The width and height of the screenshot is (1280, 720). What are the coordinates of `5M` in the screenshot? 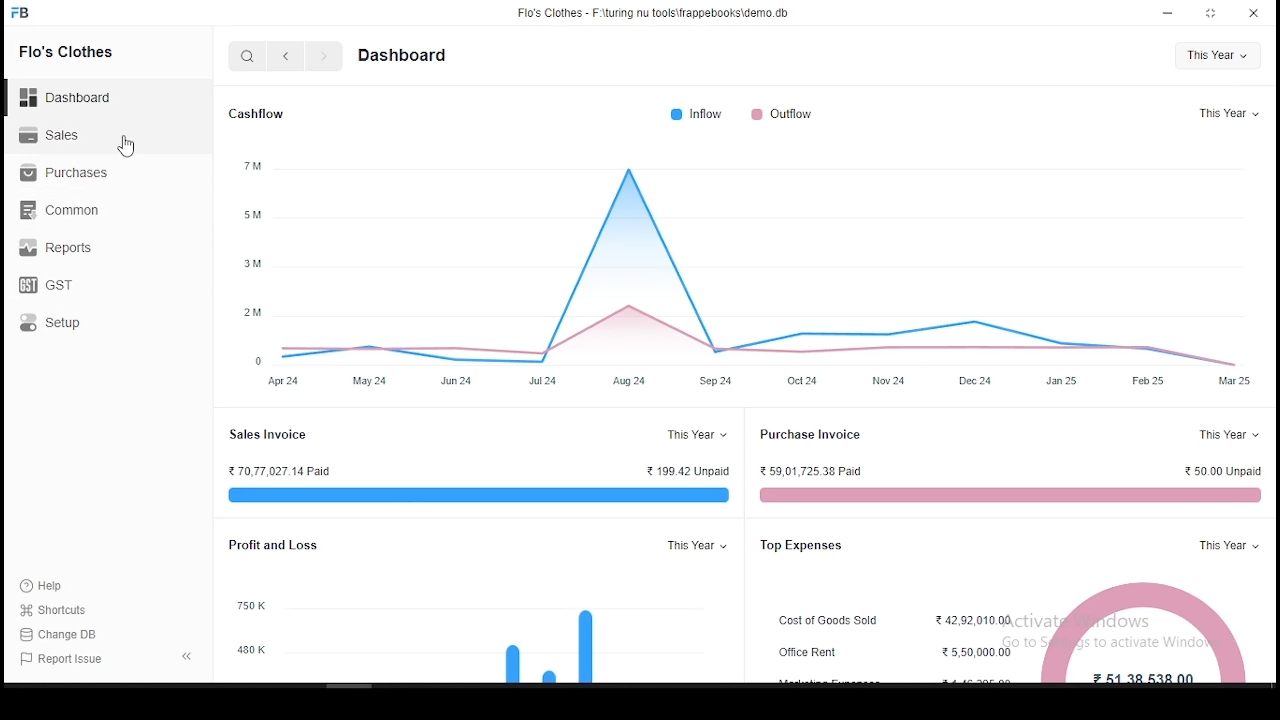 It's located at (251, 216).